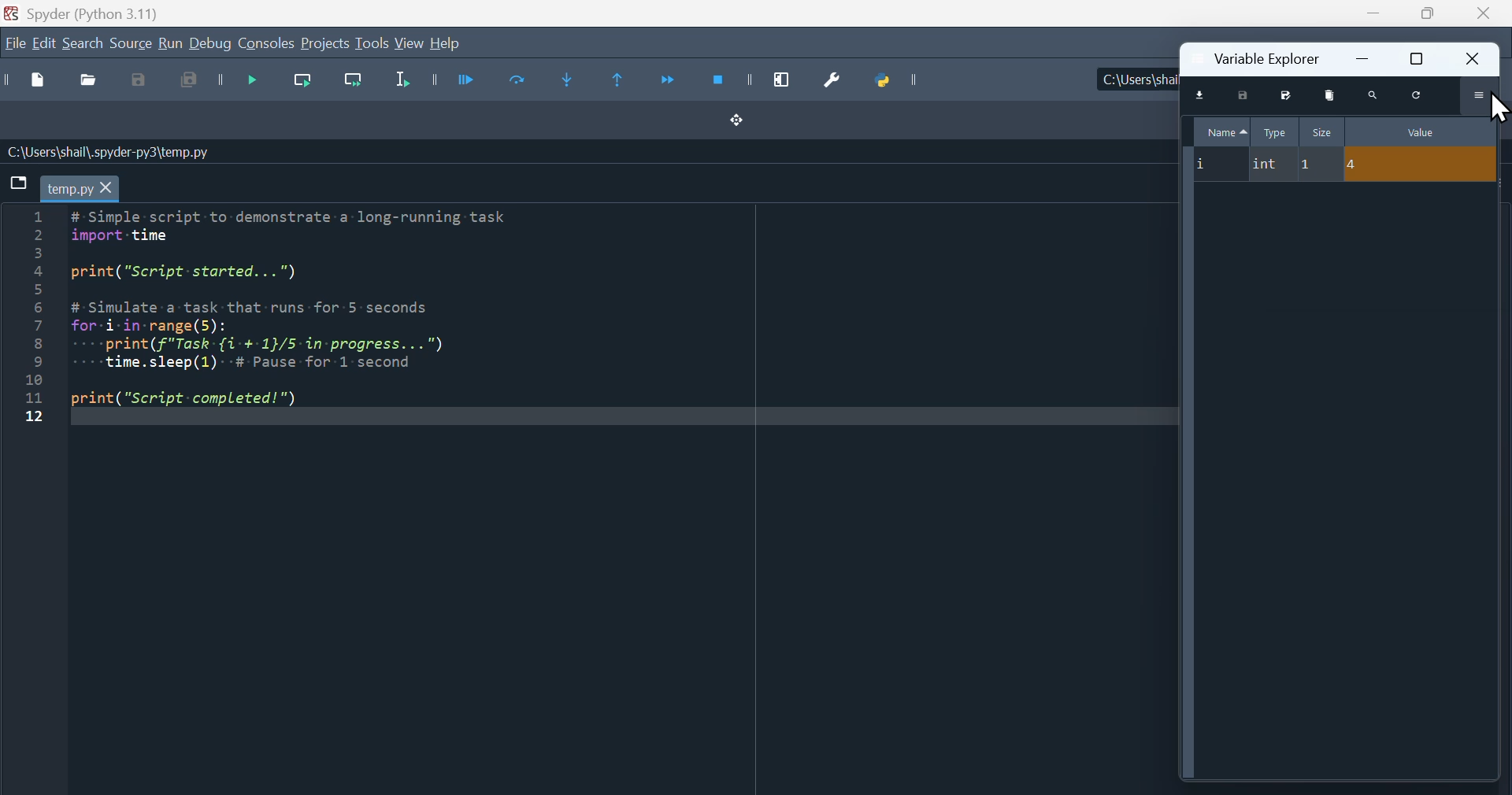 The height and width of the screenshot is (795, 1512). Describe the element at coordinates (739, 121) in the screenshot. I see `Drag and drop button` at that location.